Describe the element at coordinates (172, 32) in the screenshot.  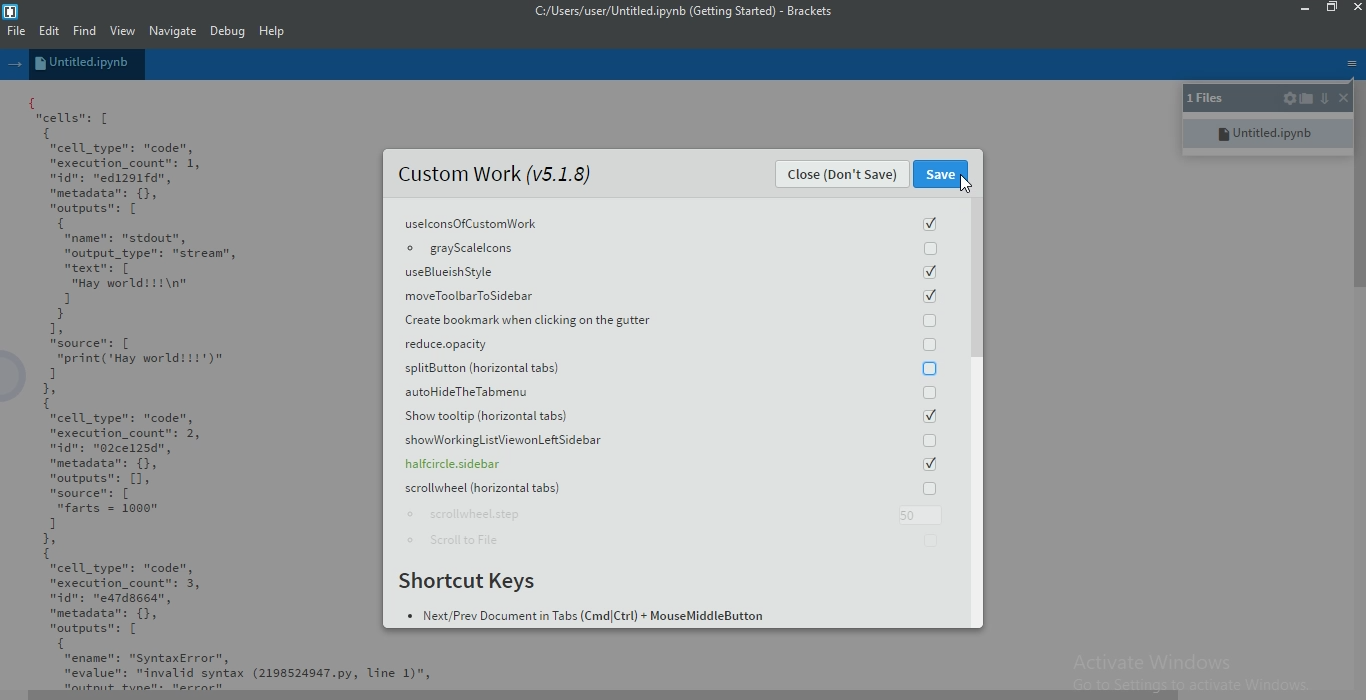
I see `Navigate` at that location.